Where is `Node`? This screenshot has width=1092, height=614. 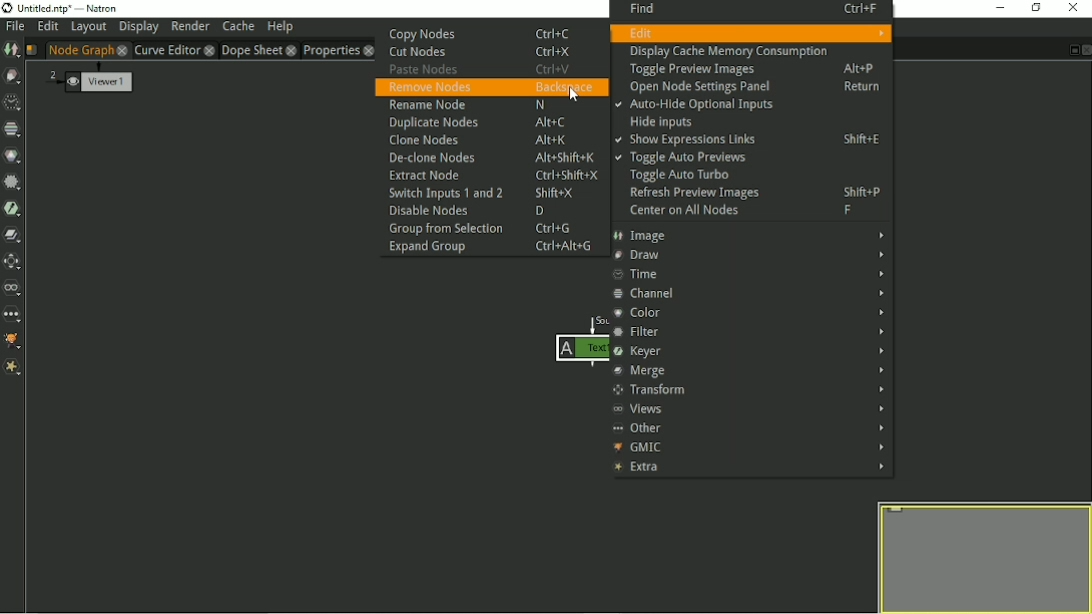 Node is located at coordinates (575, 343).